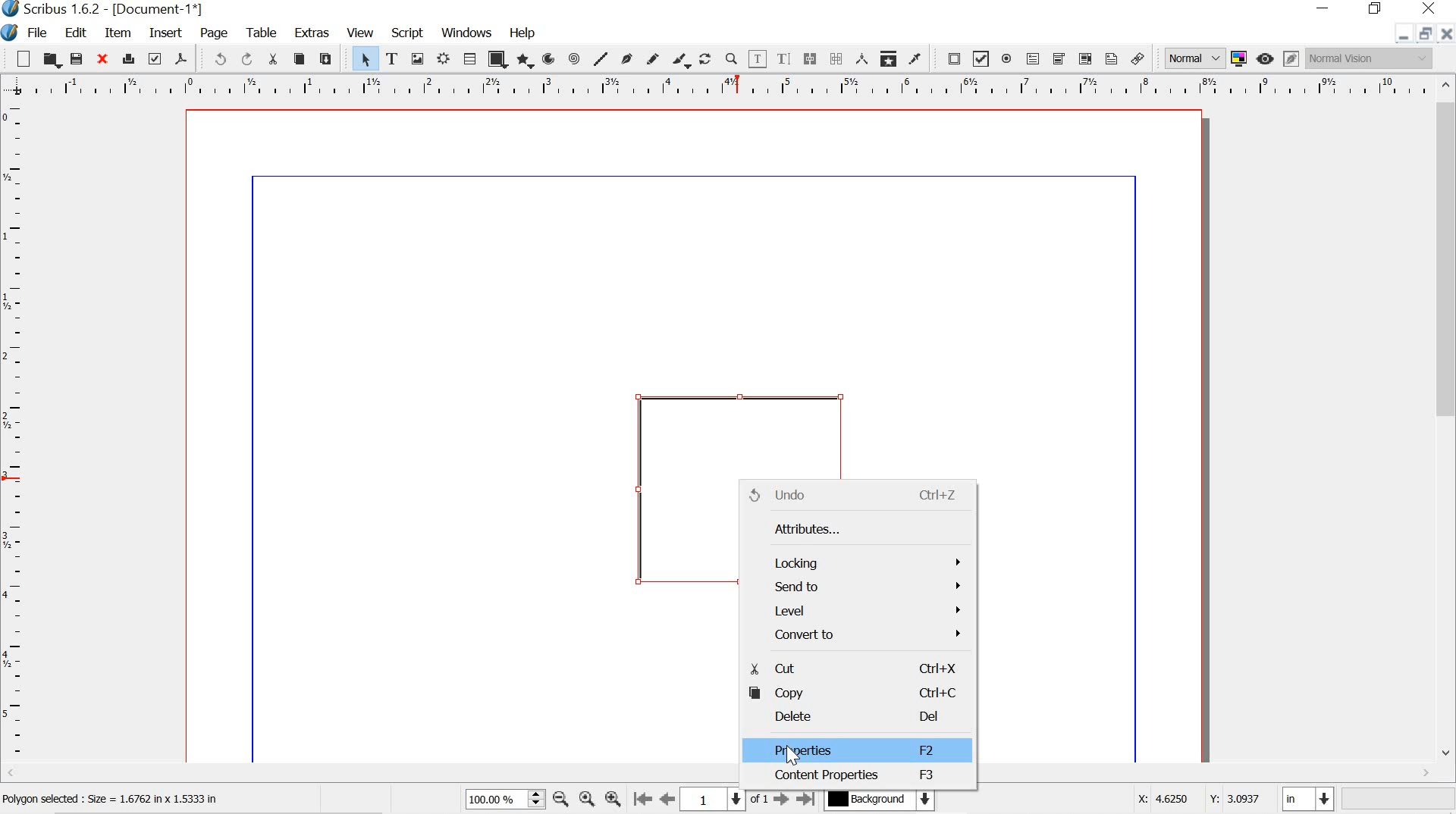  What do you see at coordinates (311, 34) in the screenshot?
I see `EXTRAS` at bounding box center [311, 34].